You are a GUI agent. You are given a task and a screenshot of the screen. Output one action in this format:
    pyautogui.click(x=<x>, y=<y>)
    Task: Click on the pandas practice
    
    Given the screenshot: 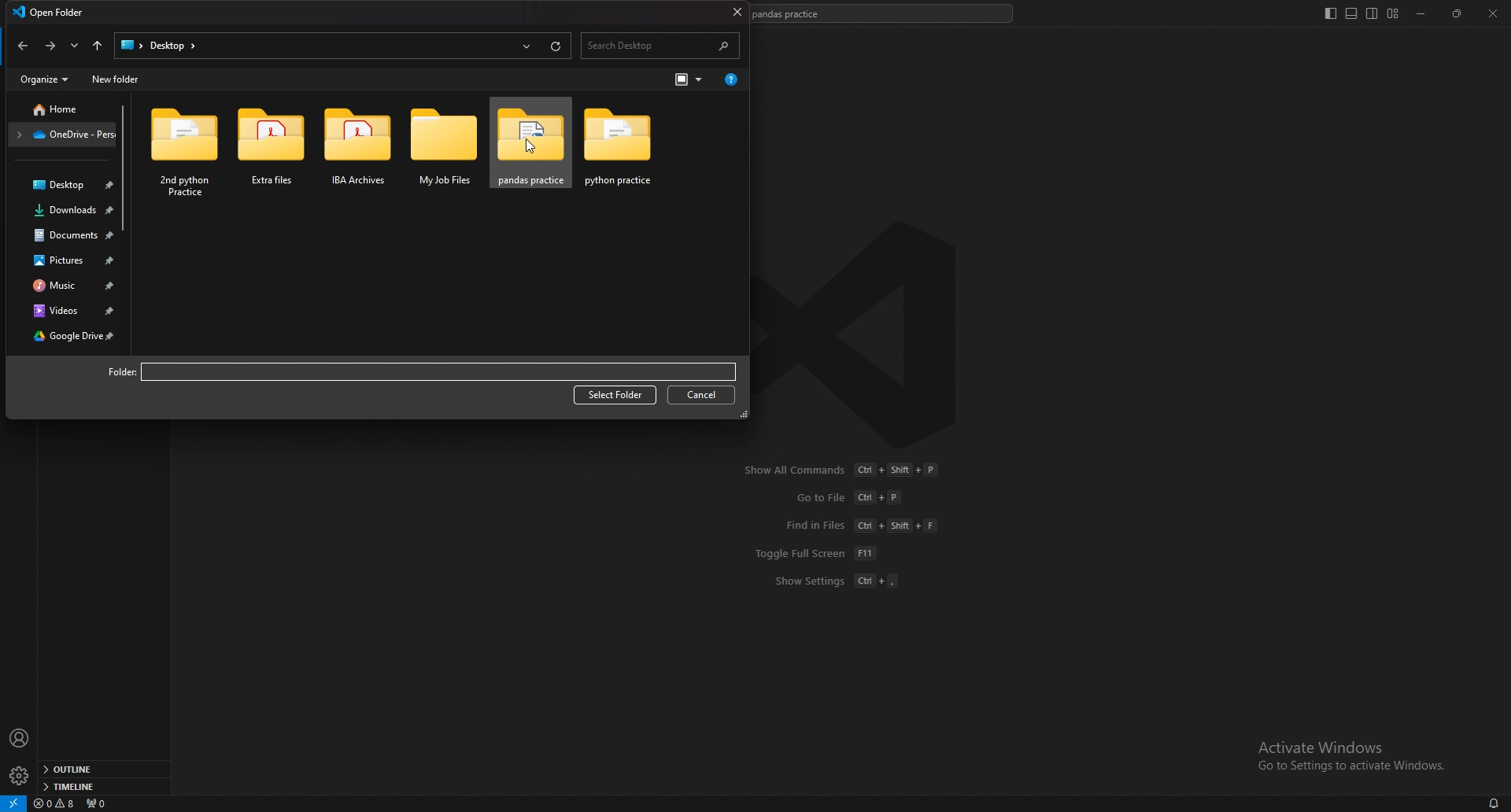 What is the action you would take?
    pyautogui.click(x=534, y=145)
    